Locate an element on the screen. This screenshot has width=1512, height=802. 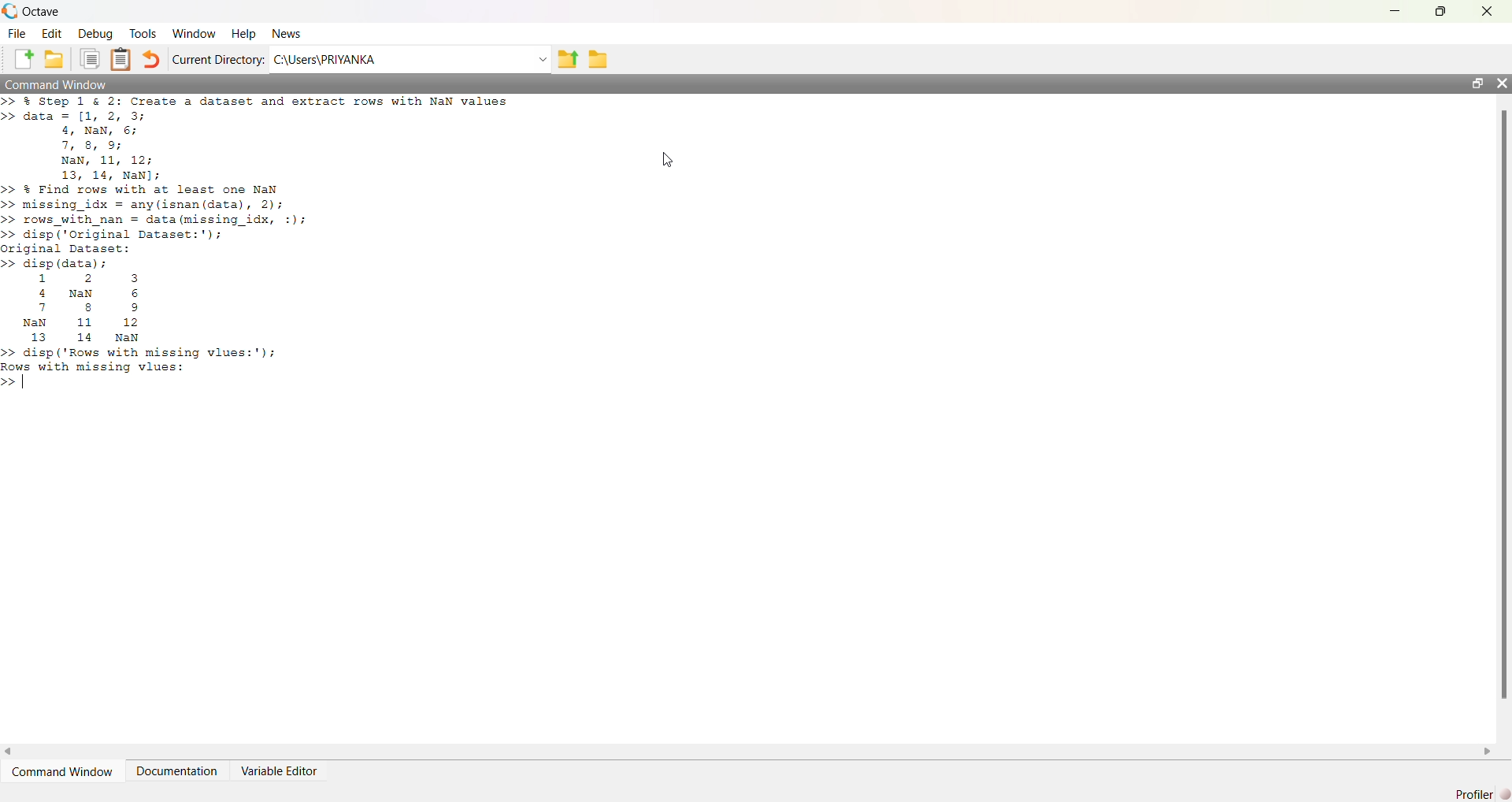
Duplicate is located at coordinates (90, 59).